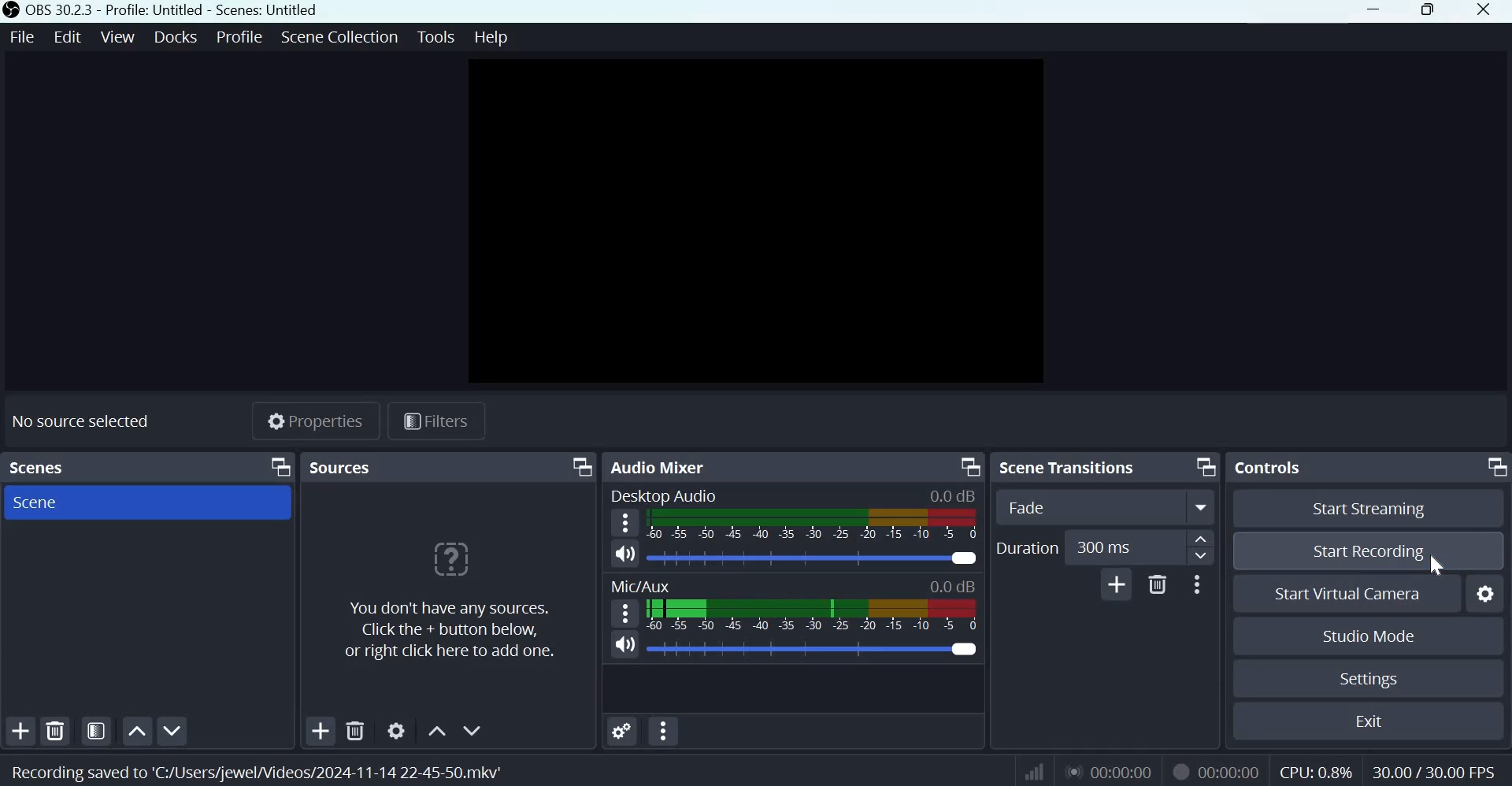 Image resolution: width=1512 pixels, height=786 pixels. I want to click on Dock Options icon, so click(968, 466).